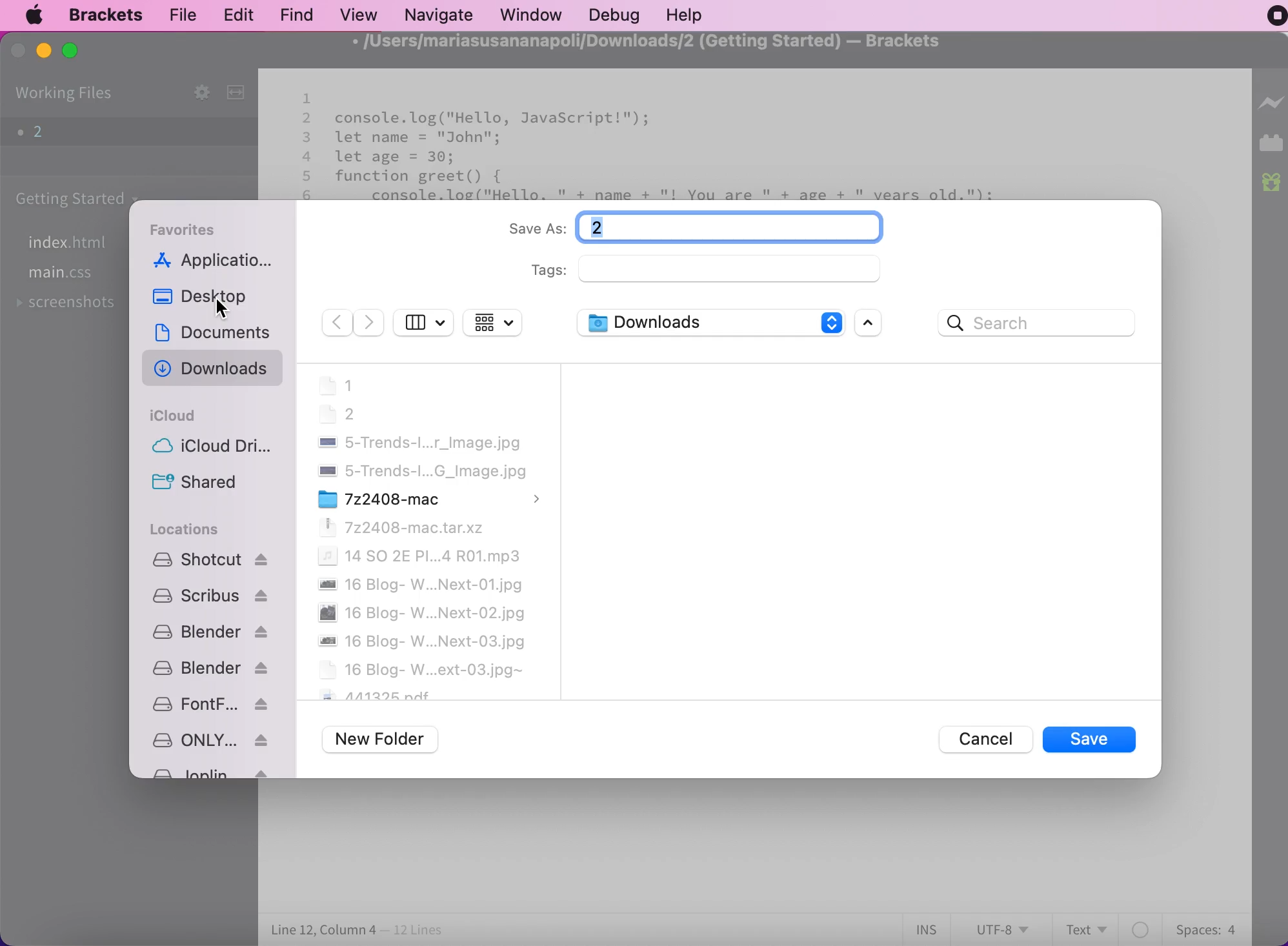 The width and height of the screenshot is (1288, 946). Describe the element at coordinates (221, 307) in the screenshot. I see `cursor` at that location.